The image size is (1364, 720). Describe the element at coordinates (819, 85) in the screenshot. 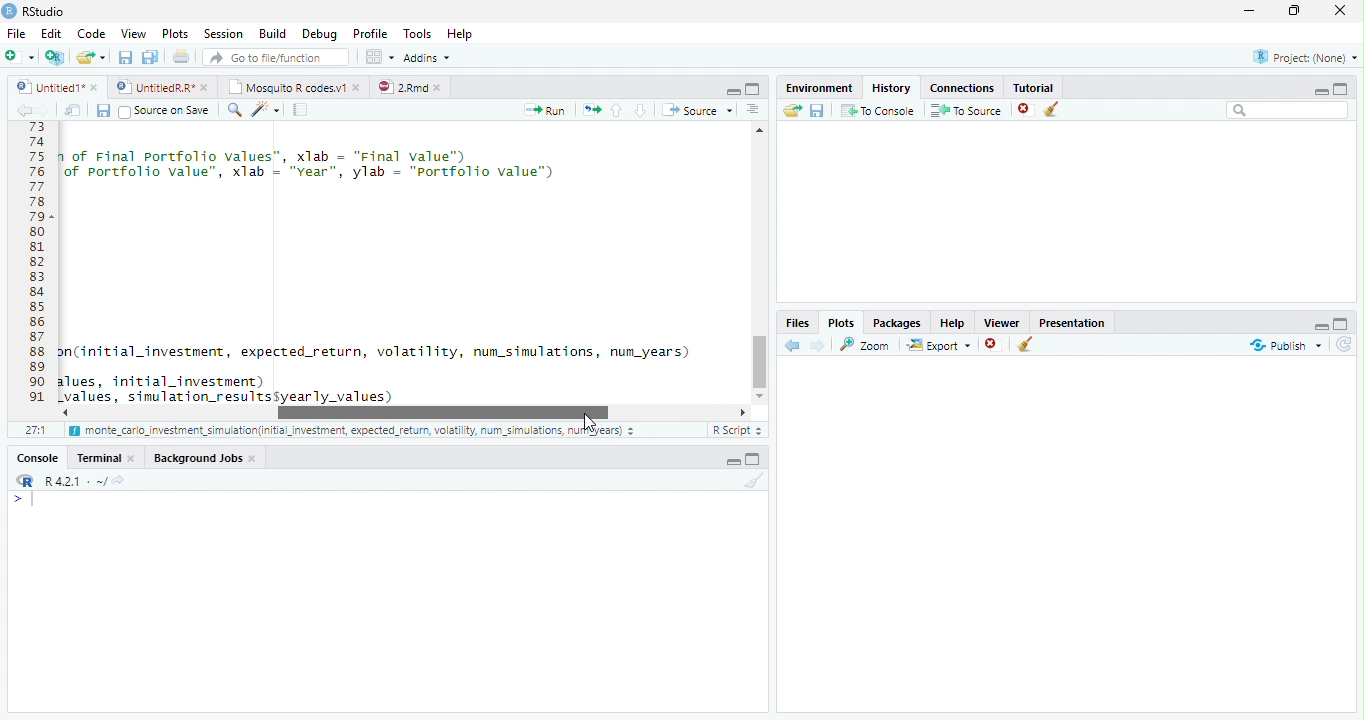

I see `Environment` at that location.